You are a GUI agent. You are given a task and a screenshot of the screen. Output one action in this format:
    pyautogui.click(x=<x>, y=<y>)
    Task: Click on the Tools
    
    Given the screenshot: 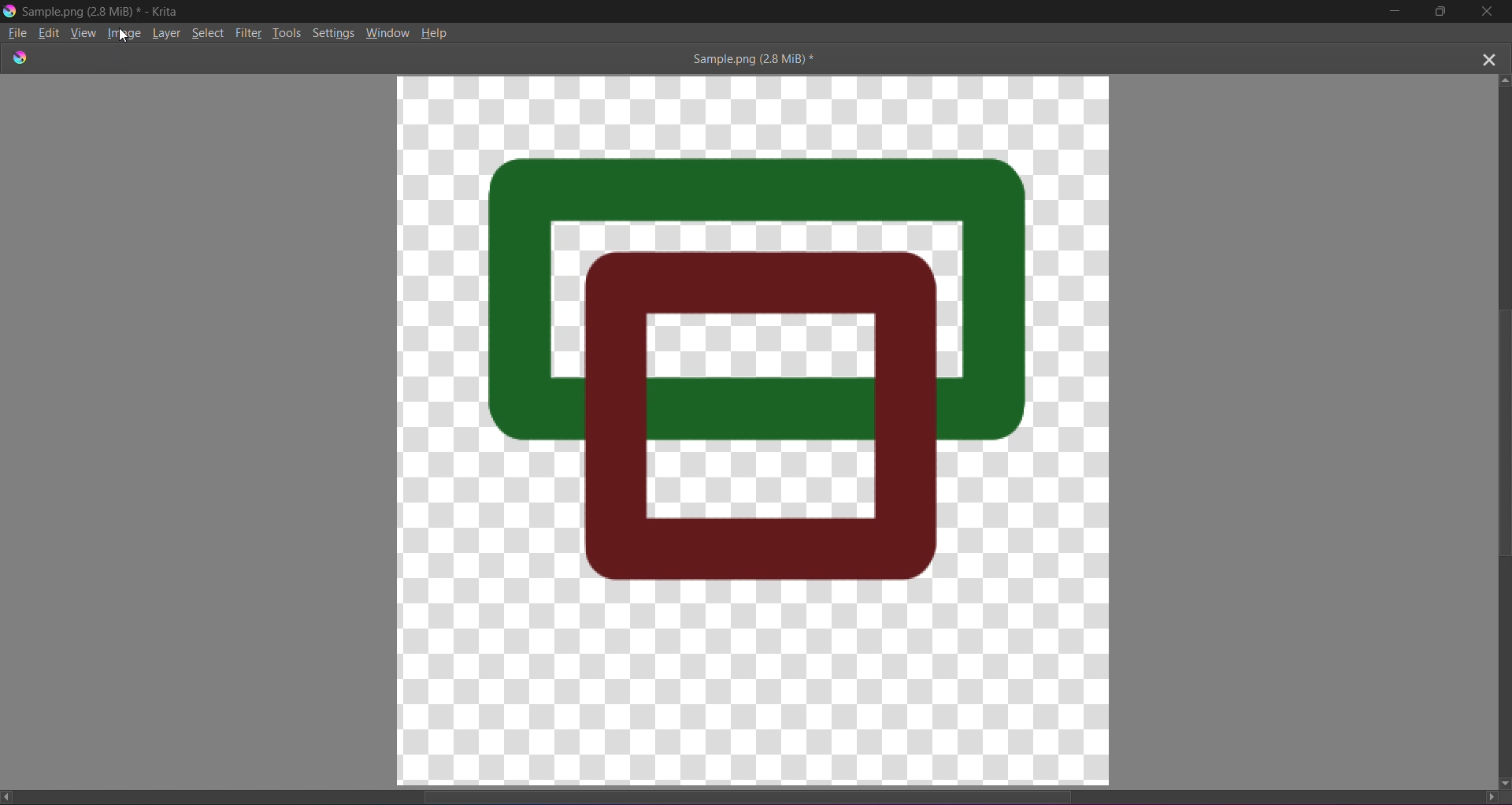 What is the action you would take?
    pyautogui.click(x=288, y=32)
    